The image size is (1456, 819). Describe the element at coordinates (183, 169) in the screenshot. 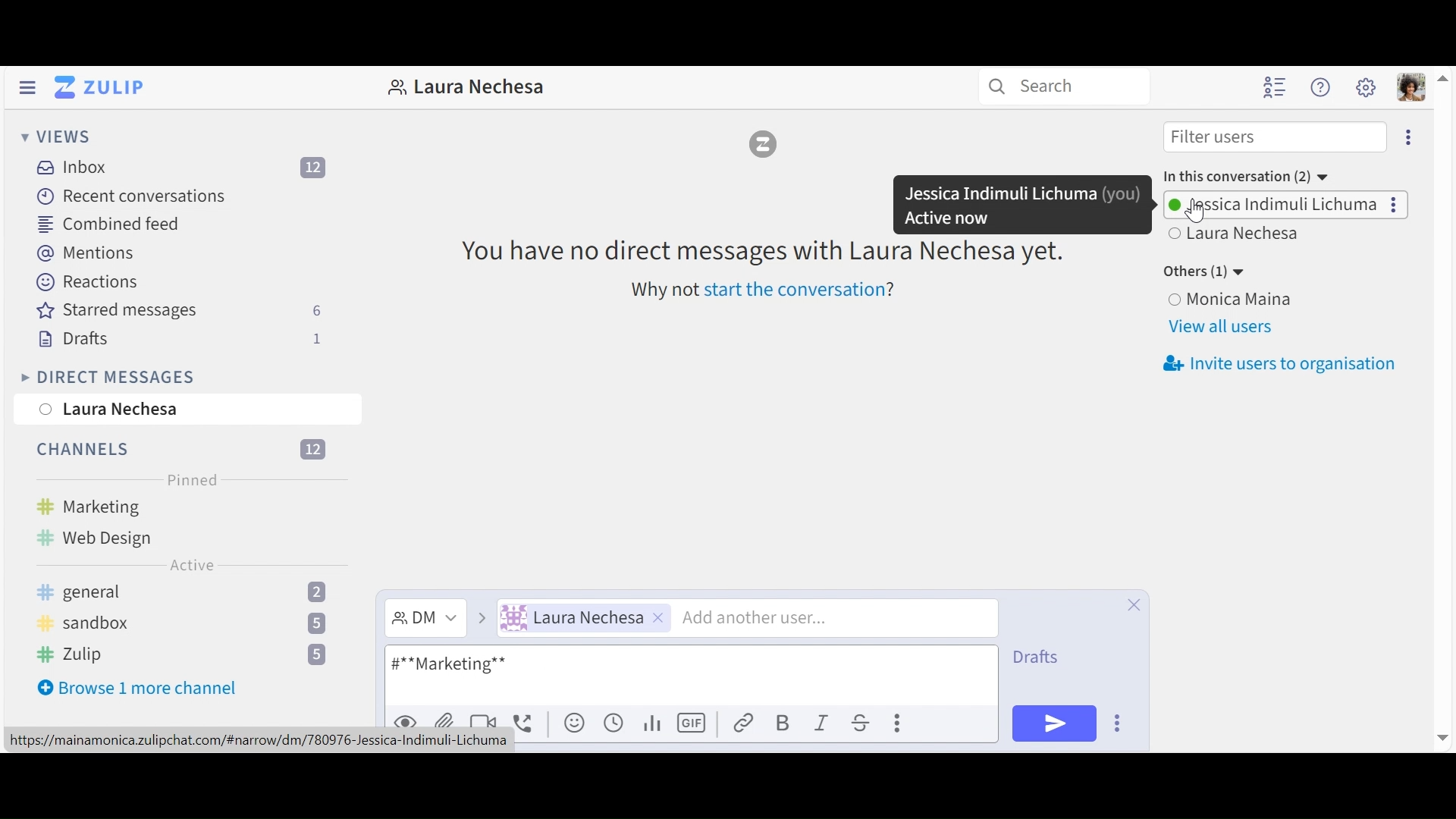

I see `Inboz` at that location.